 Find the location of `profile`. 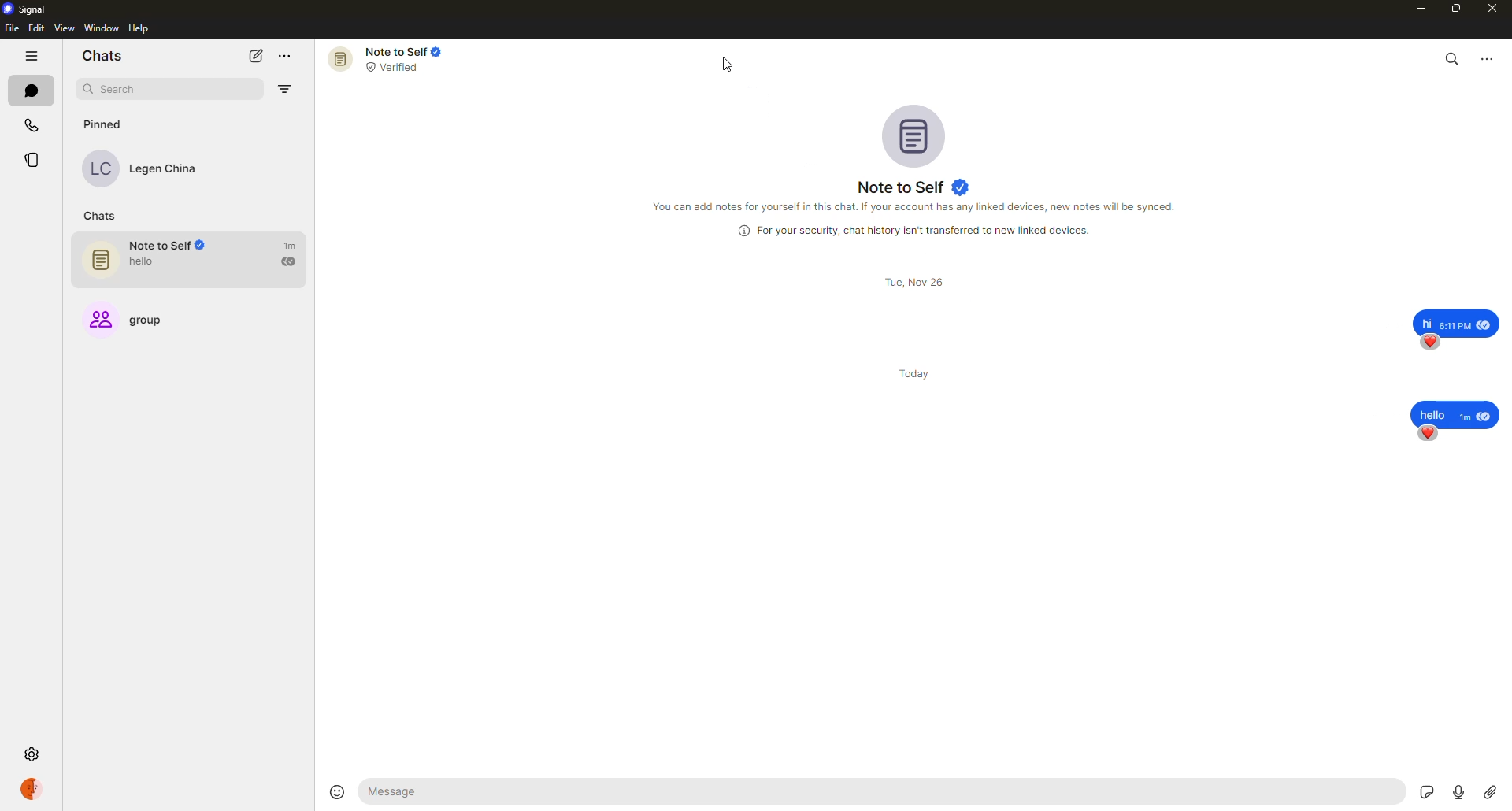

profile is located at coordinates (31, 787).